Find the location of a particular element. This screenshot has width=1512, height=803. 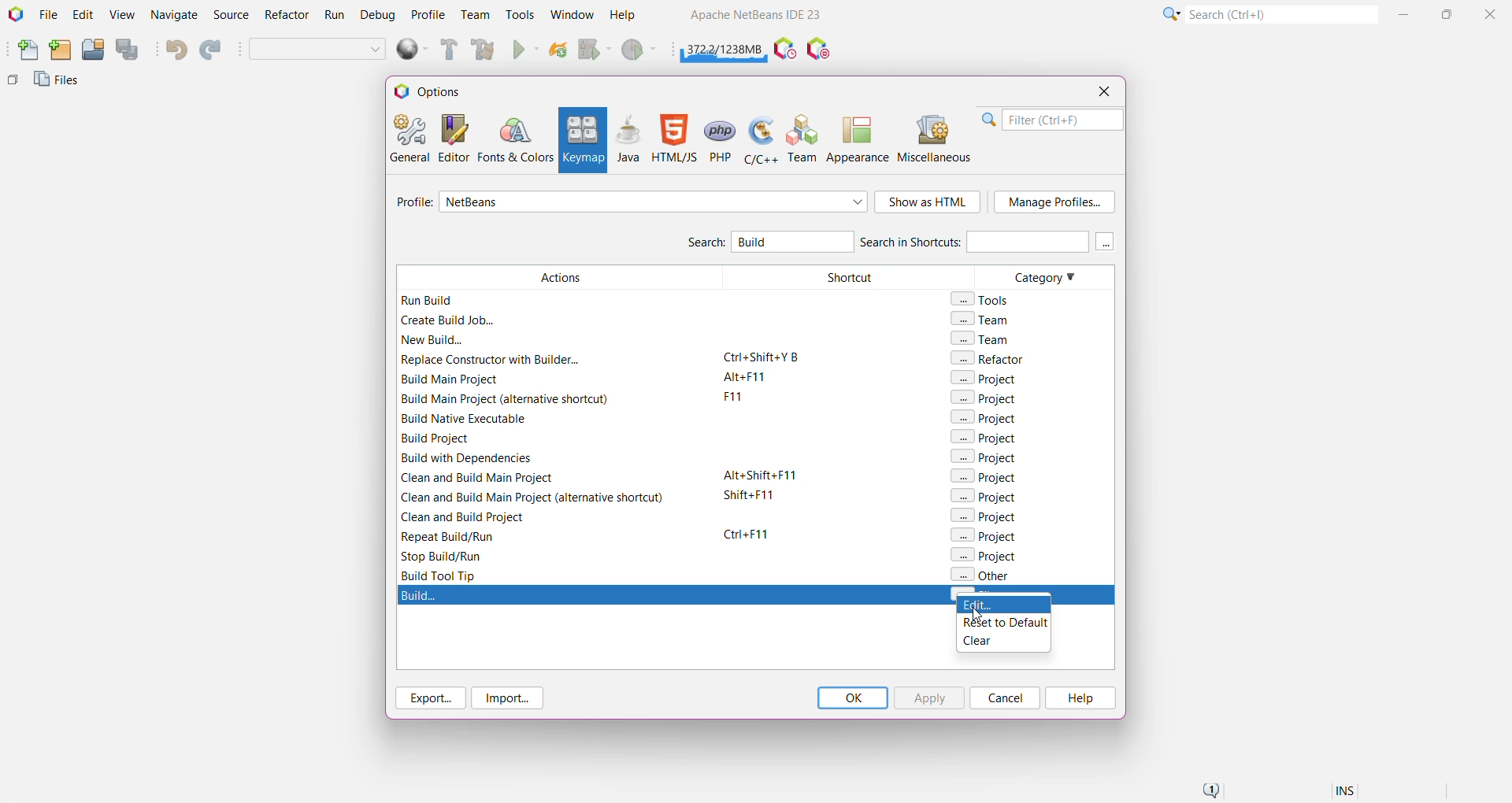

Profile is located at coordinates (412, 204).